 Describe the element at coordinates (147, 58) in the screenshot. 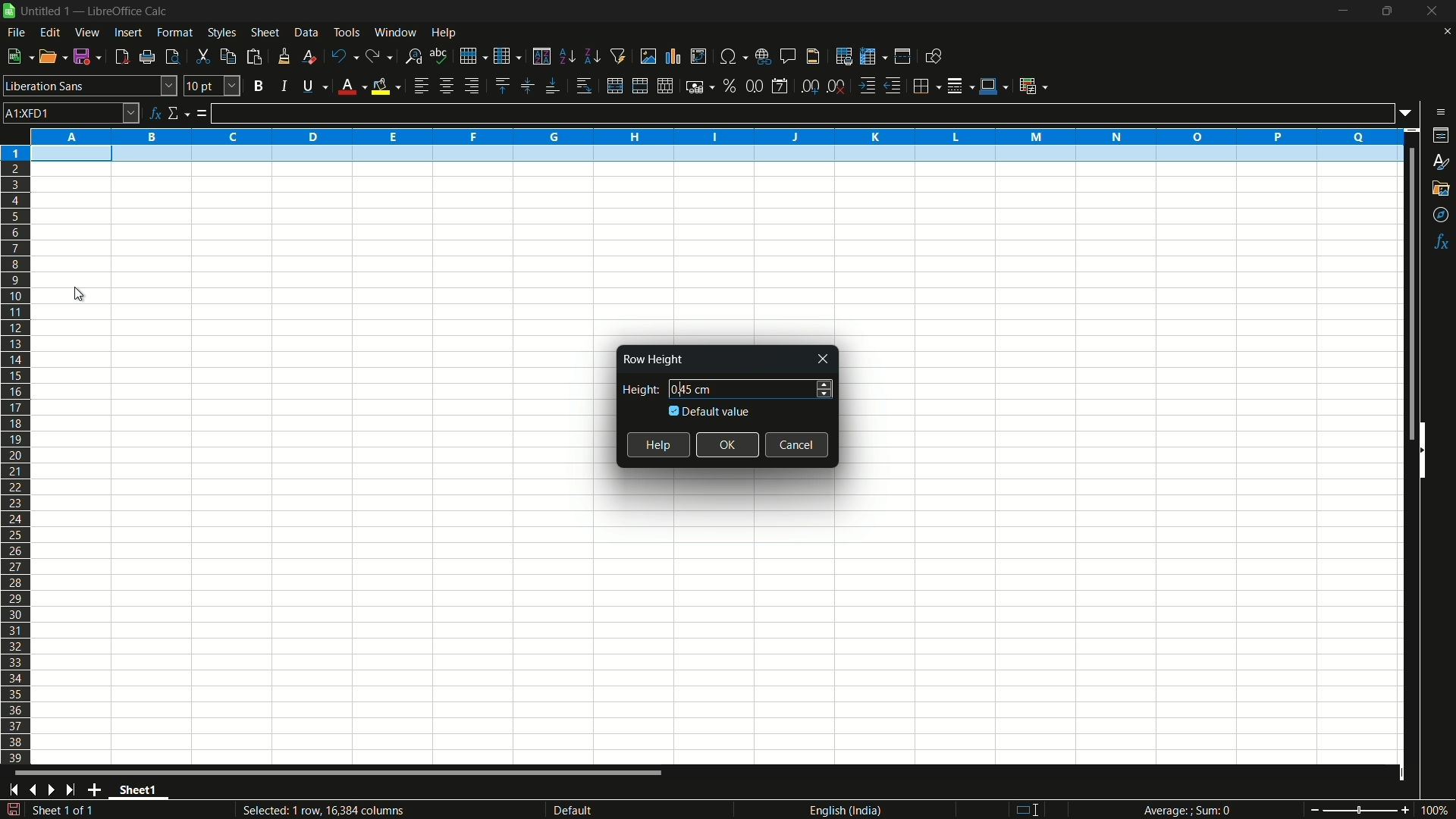

I see `print` at that location.